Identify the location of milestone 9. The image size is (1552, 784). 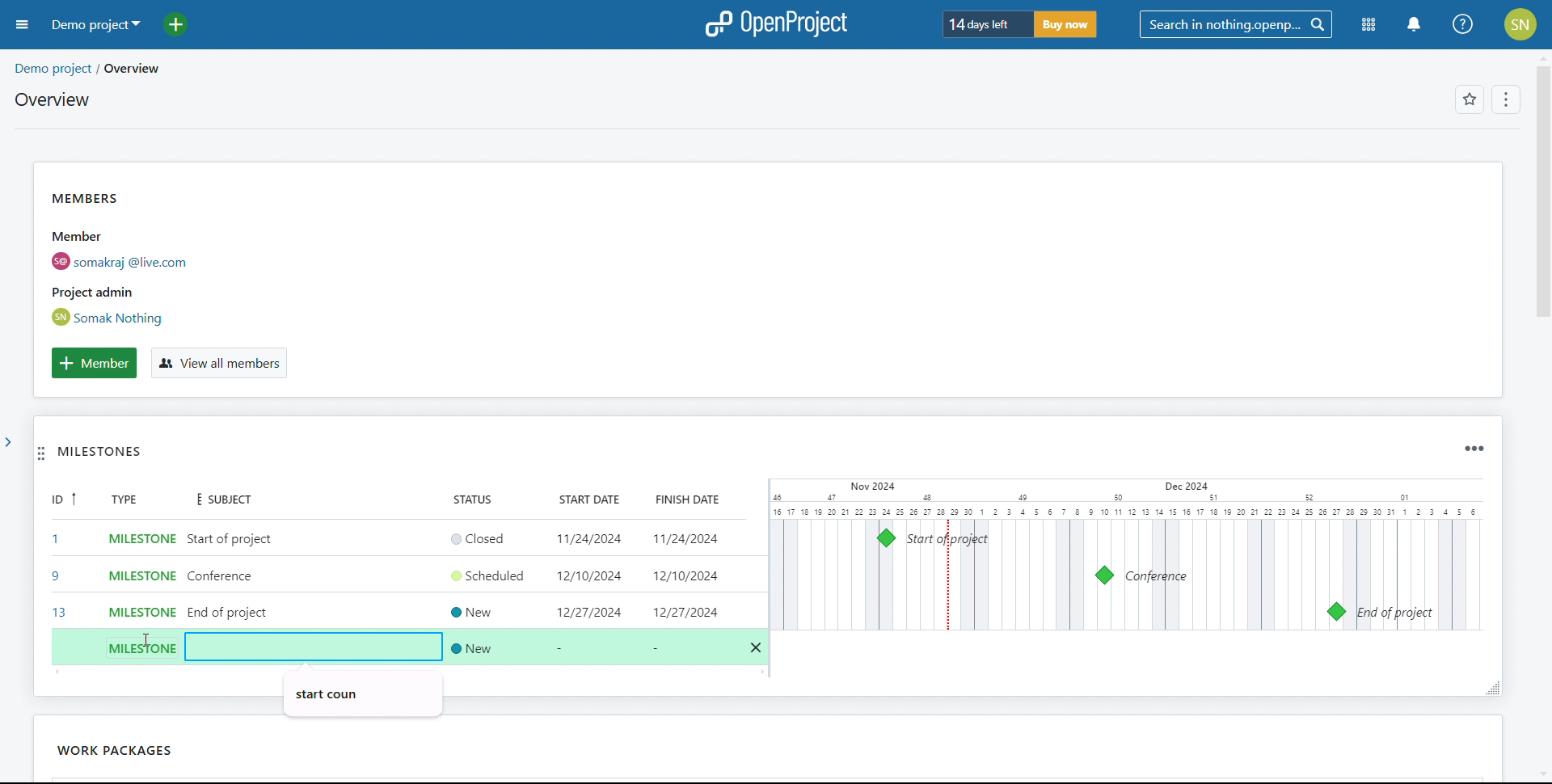
(1104, 575).